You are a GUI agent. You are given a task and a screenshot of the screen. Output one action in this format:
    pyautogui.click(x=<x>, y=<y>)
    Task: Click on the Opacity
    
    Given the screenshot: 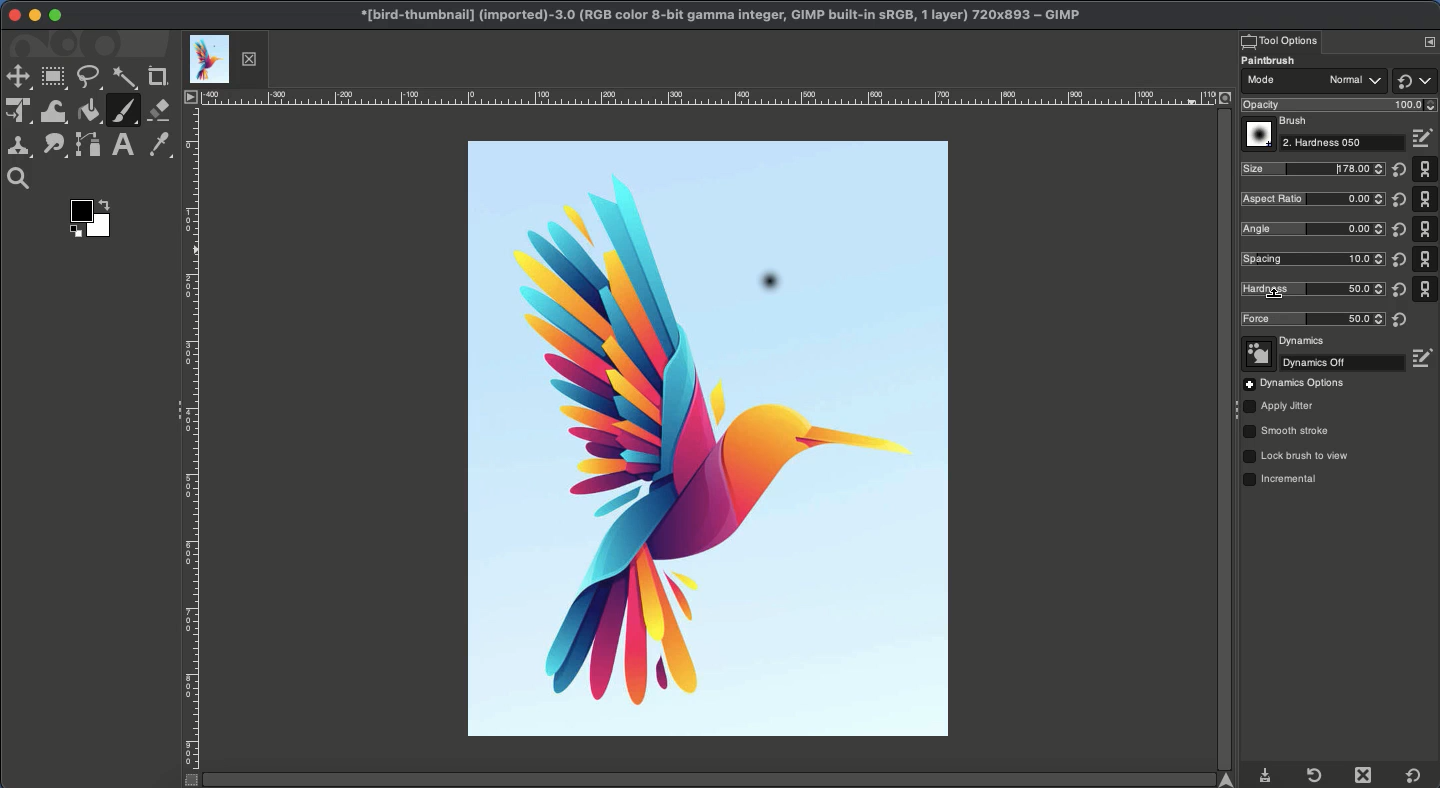 What is the action you would take?
    pyautogui.click(x=1336, y=105)
    